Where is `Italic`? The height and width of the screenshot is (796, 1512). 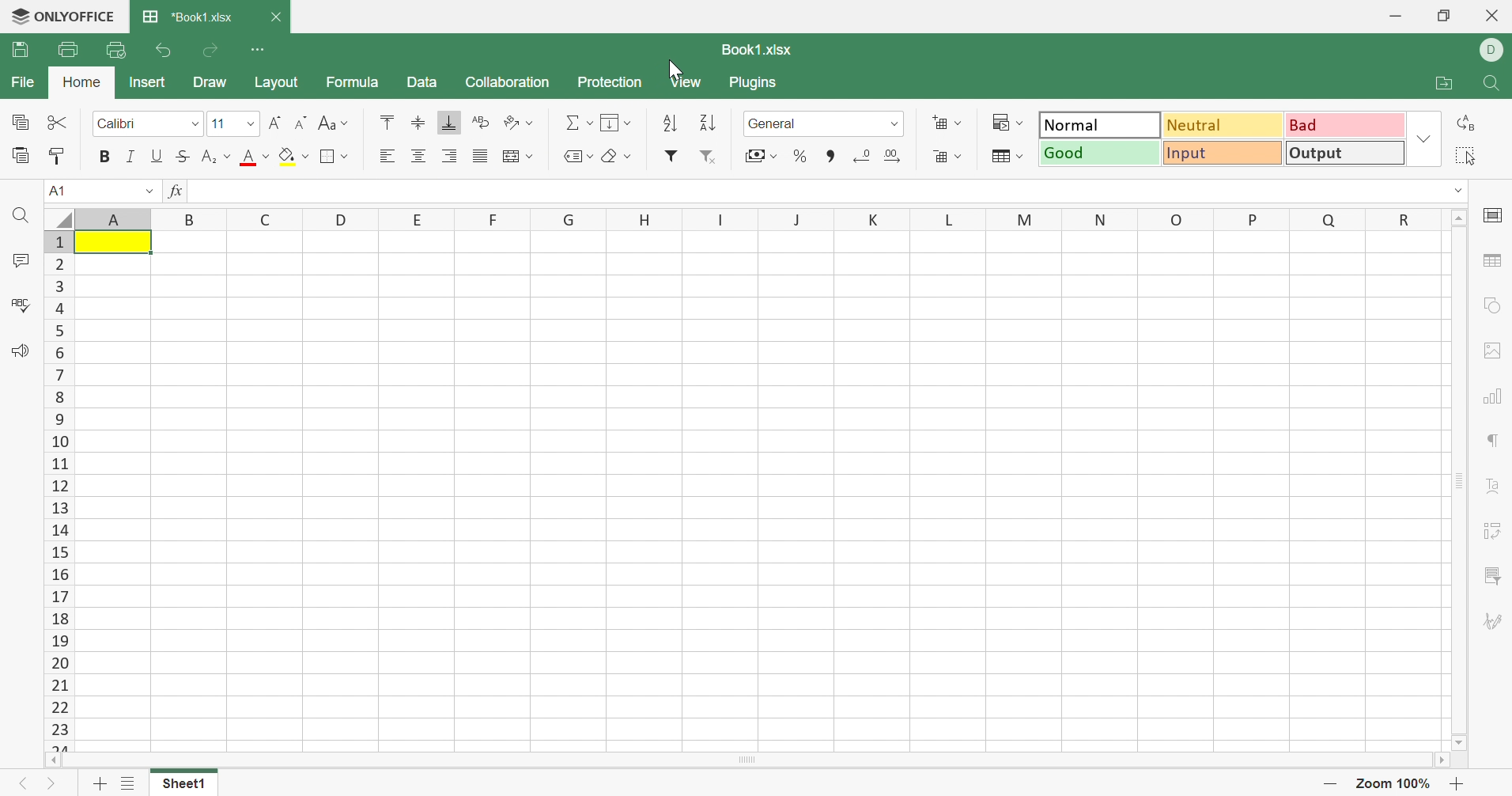 Italic is located at coordinates (130, 154).